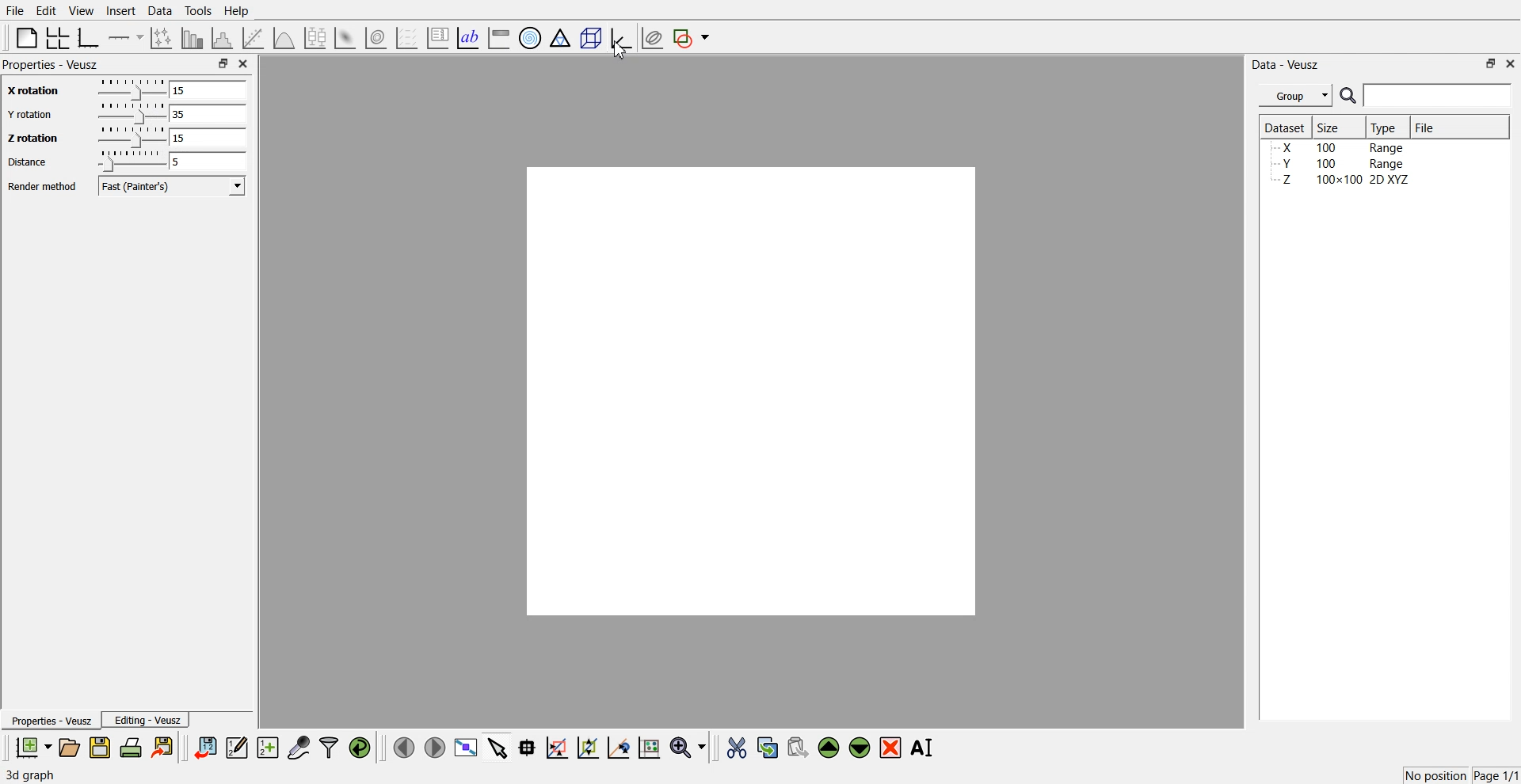 Image resolution: width=1521 pixels, height=784 pixels. Describe the element at coordinates (528, 747) in the screenshot. I see `Read data points from graph` at that location.